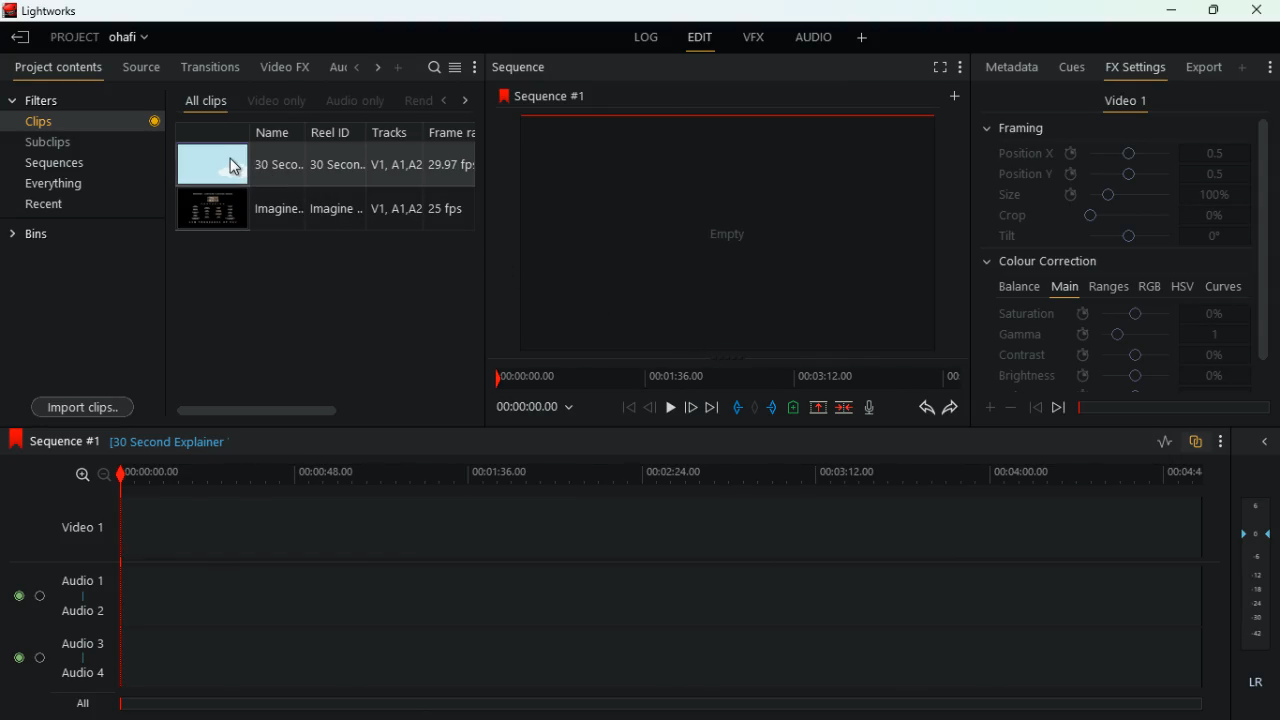 The height and width of the screenshot is (720, 1280). Describe the element at coordinates (1122, 154) in the screenshot. I see `position x` at that location.